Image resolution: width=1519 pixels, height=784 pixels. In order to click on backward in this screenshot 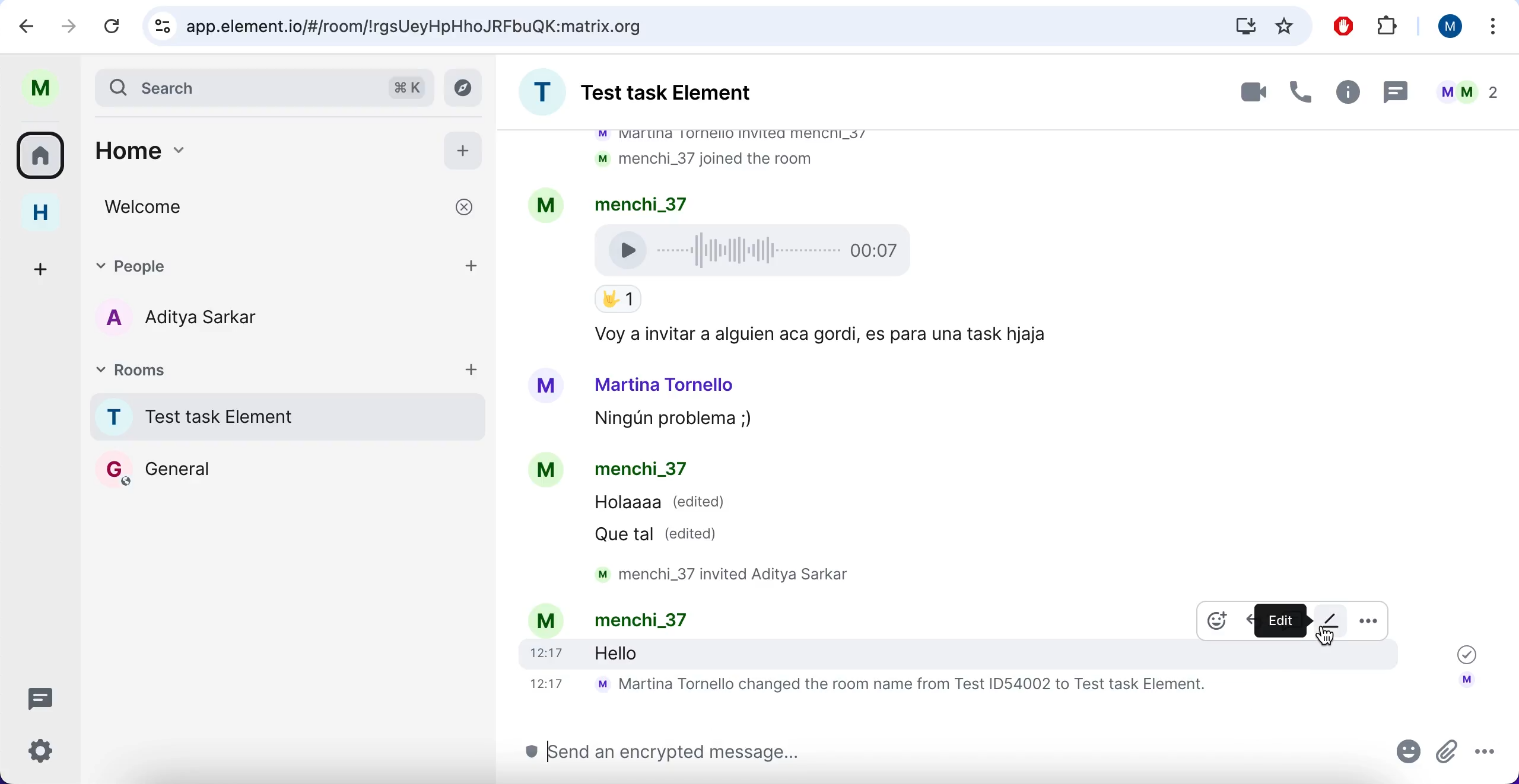, I will do `click(27, 28)`.